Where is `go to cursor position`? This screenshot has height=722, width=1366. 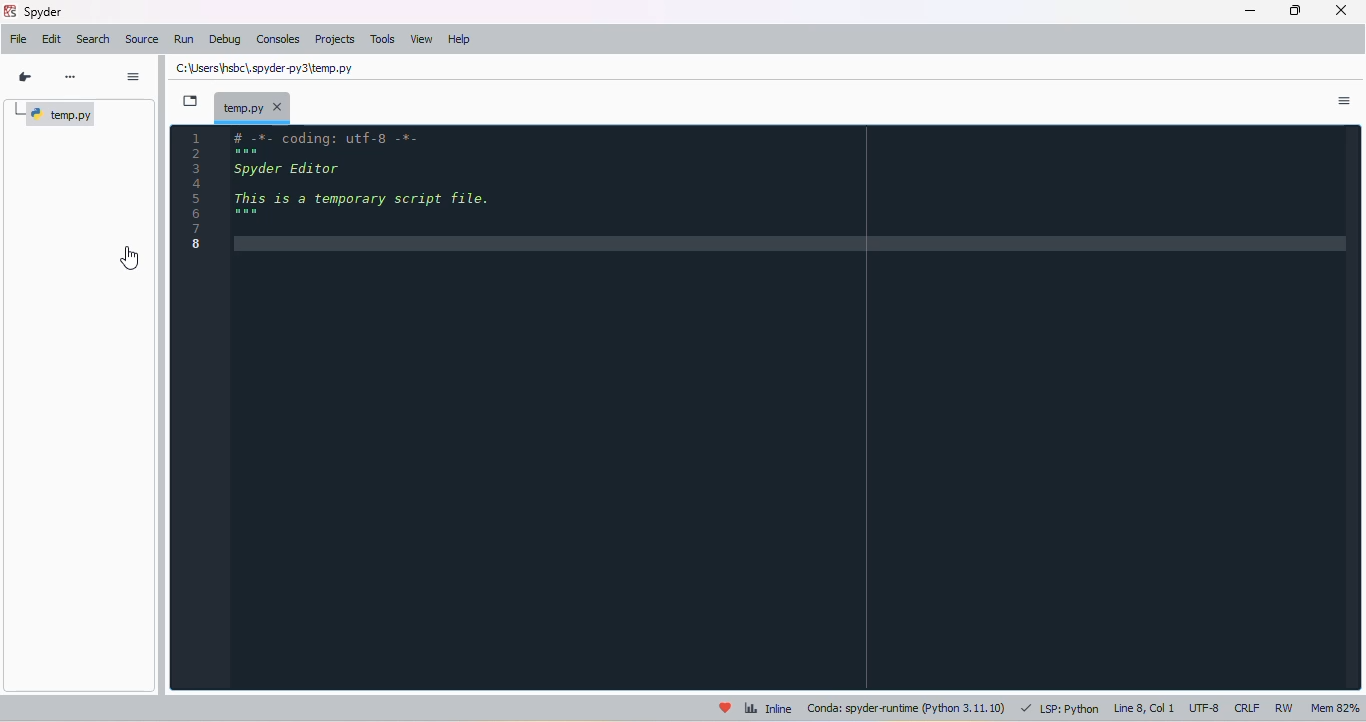 go to cursor position is located at coordinates (25, 77).